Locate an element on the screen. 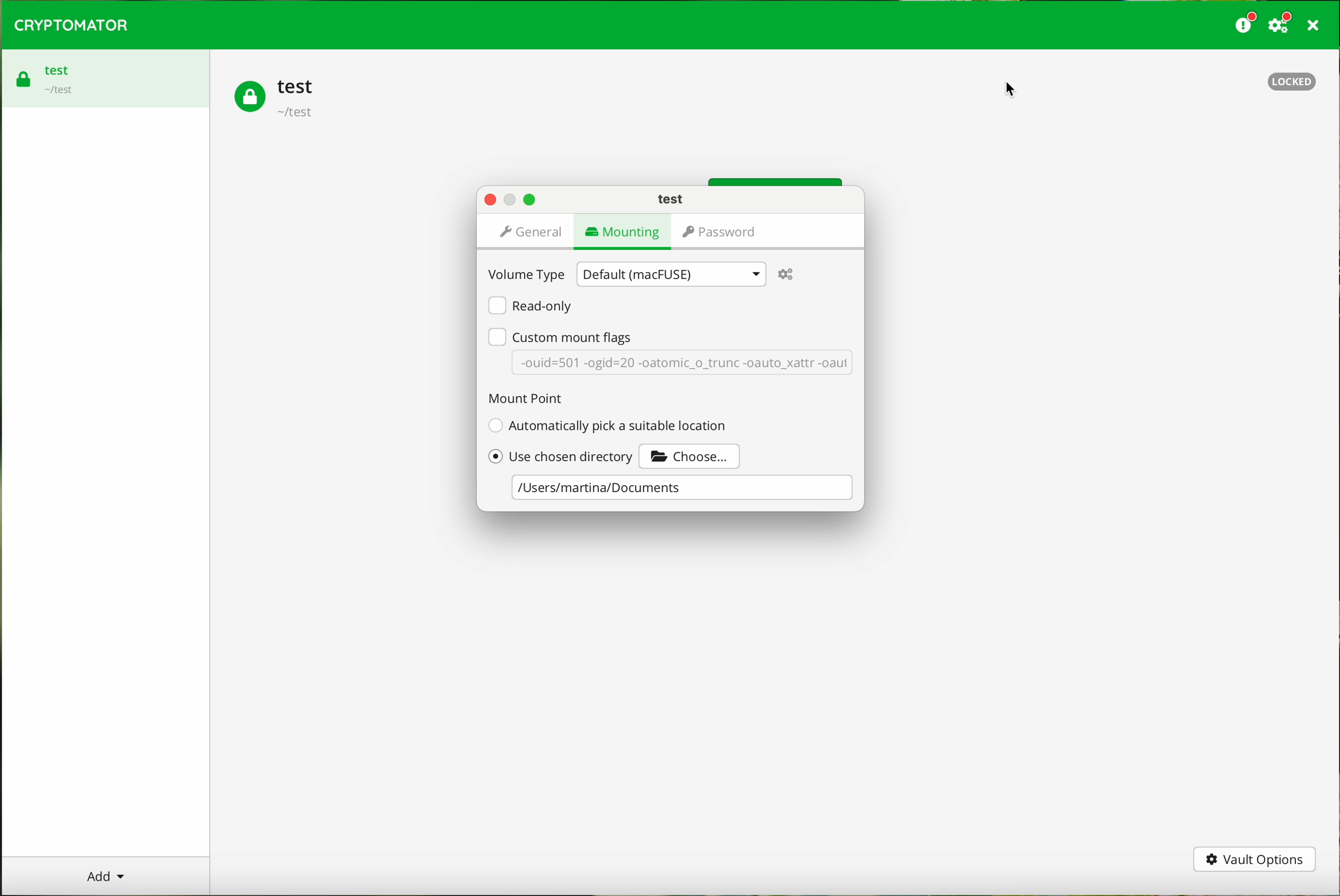 This screenshot has width=1340, height=896. test is located at coordinates (669, 199).